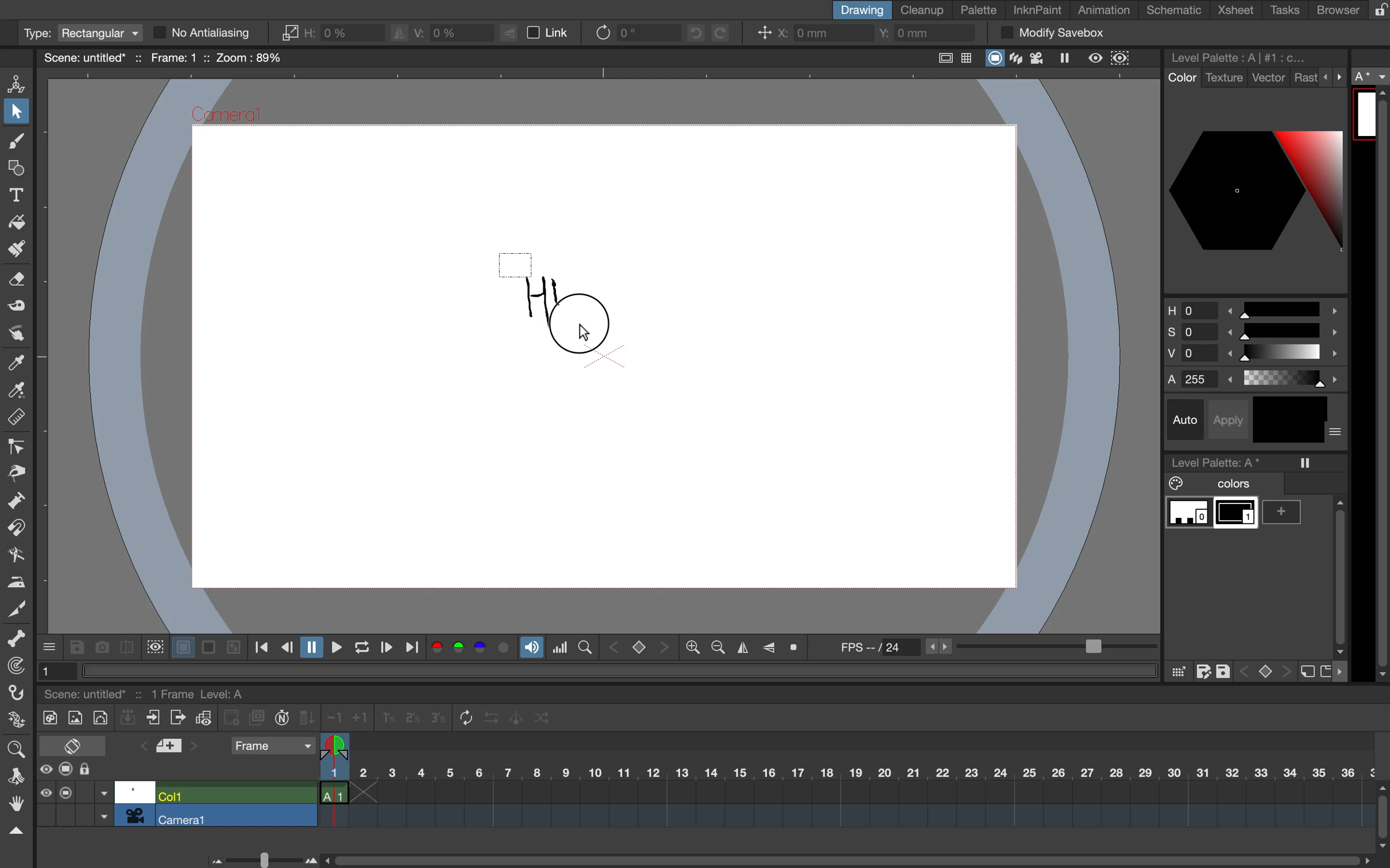  I want to click on create blank drawing, so click(233, 718).